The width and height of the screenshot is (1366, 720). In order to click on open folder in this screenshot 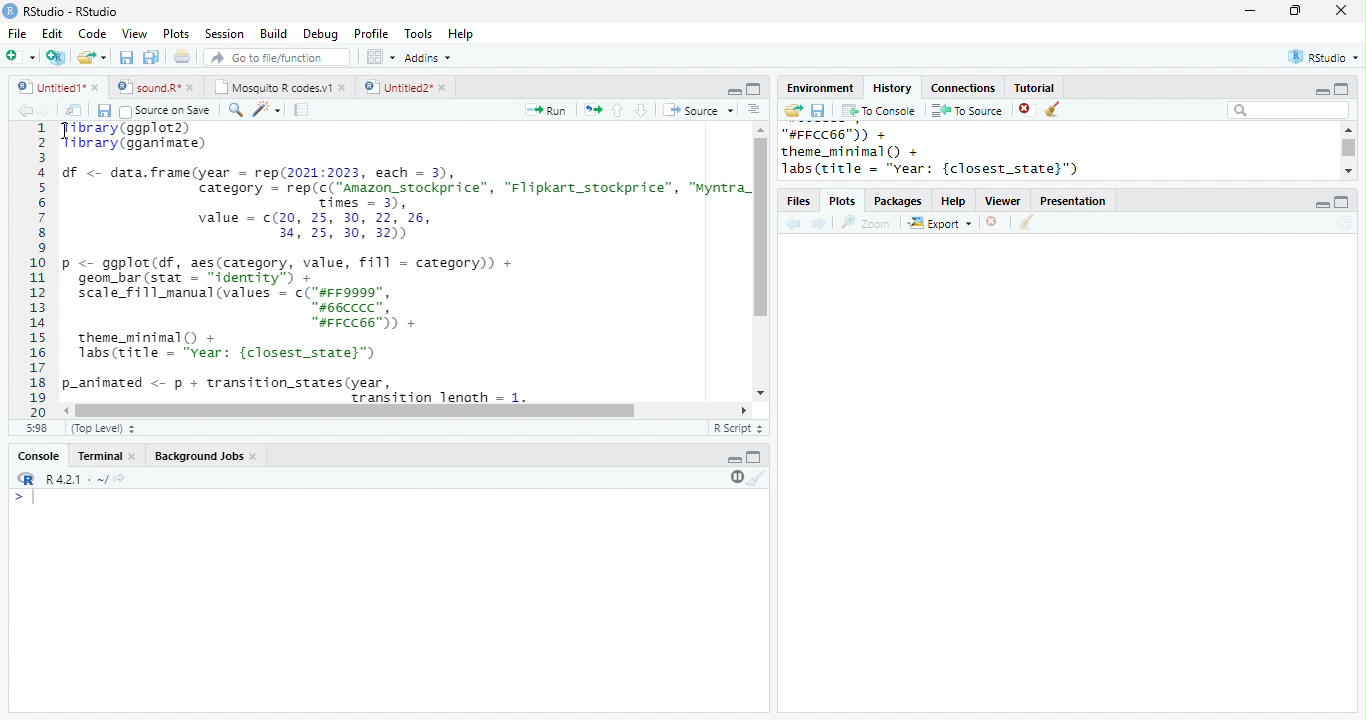, I will do `click(794, 110)`.